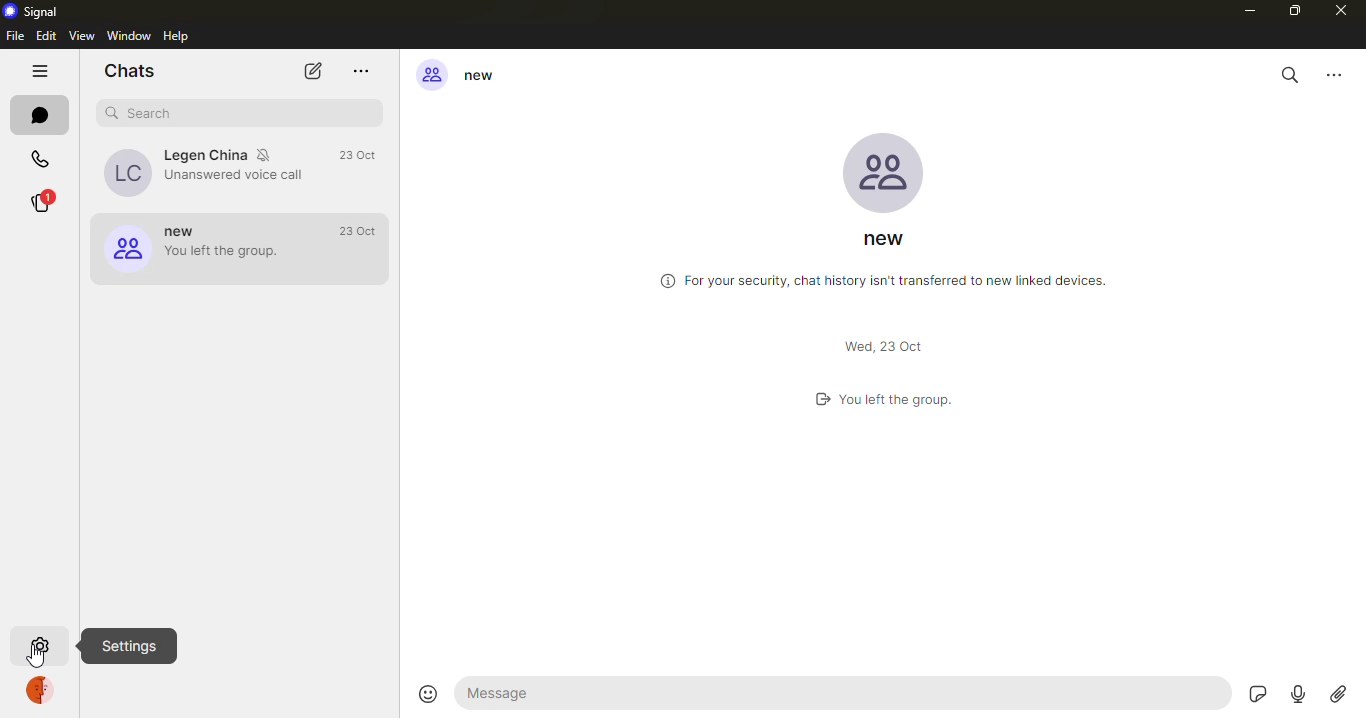 The height and width of the screenshot is (718, 1366). Describe the element at coordinates (143, 111) in the screenshot. I see `search` at that location.